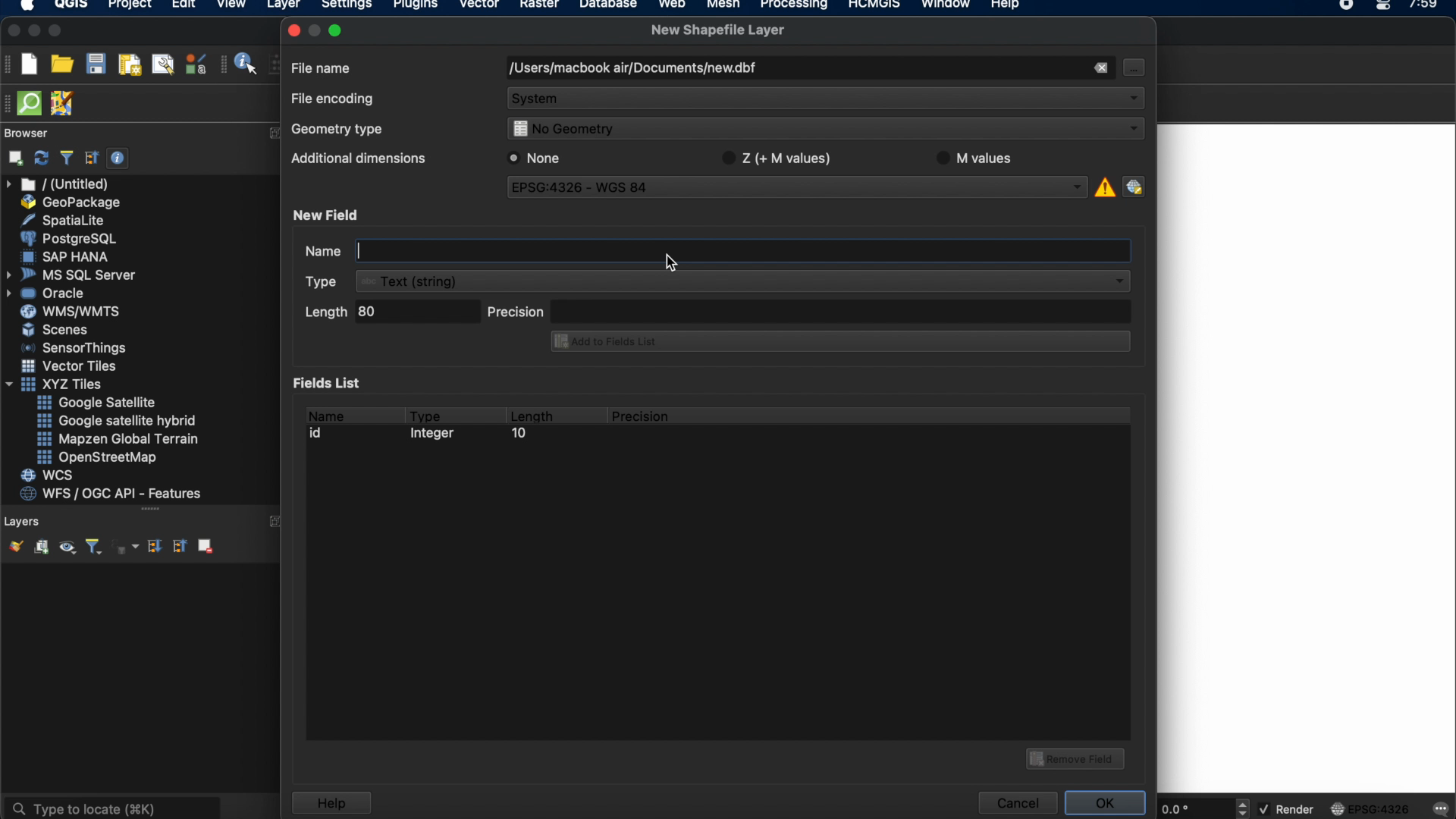  Describe the element at coordinates (56, 32) in the screenshot. I see `maximize` at that location.